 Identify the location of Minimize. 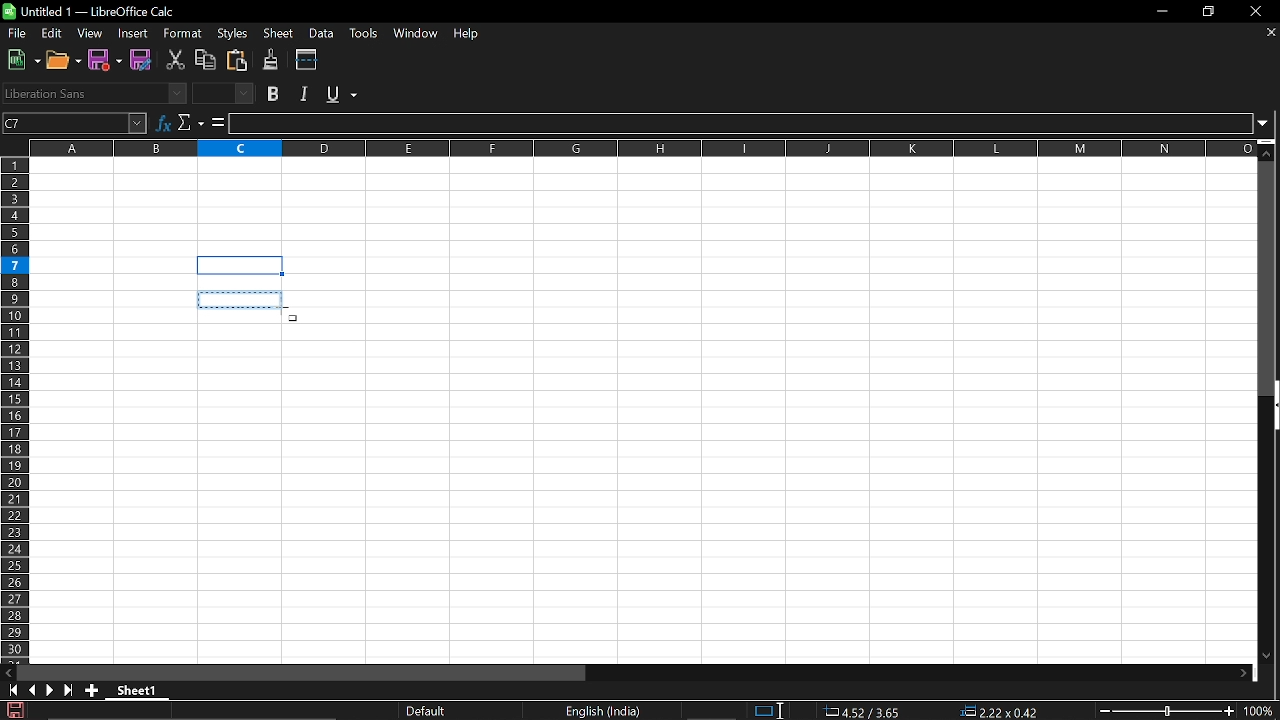
(1158, 11).